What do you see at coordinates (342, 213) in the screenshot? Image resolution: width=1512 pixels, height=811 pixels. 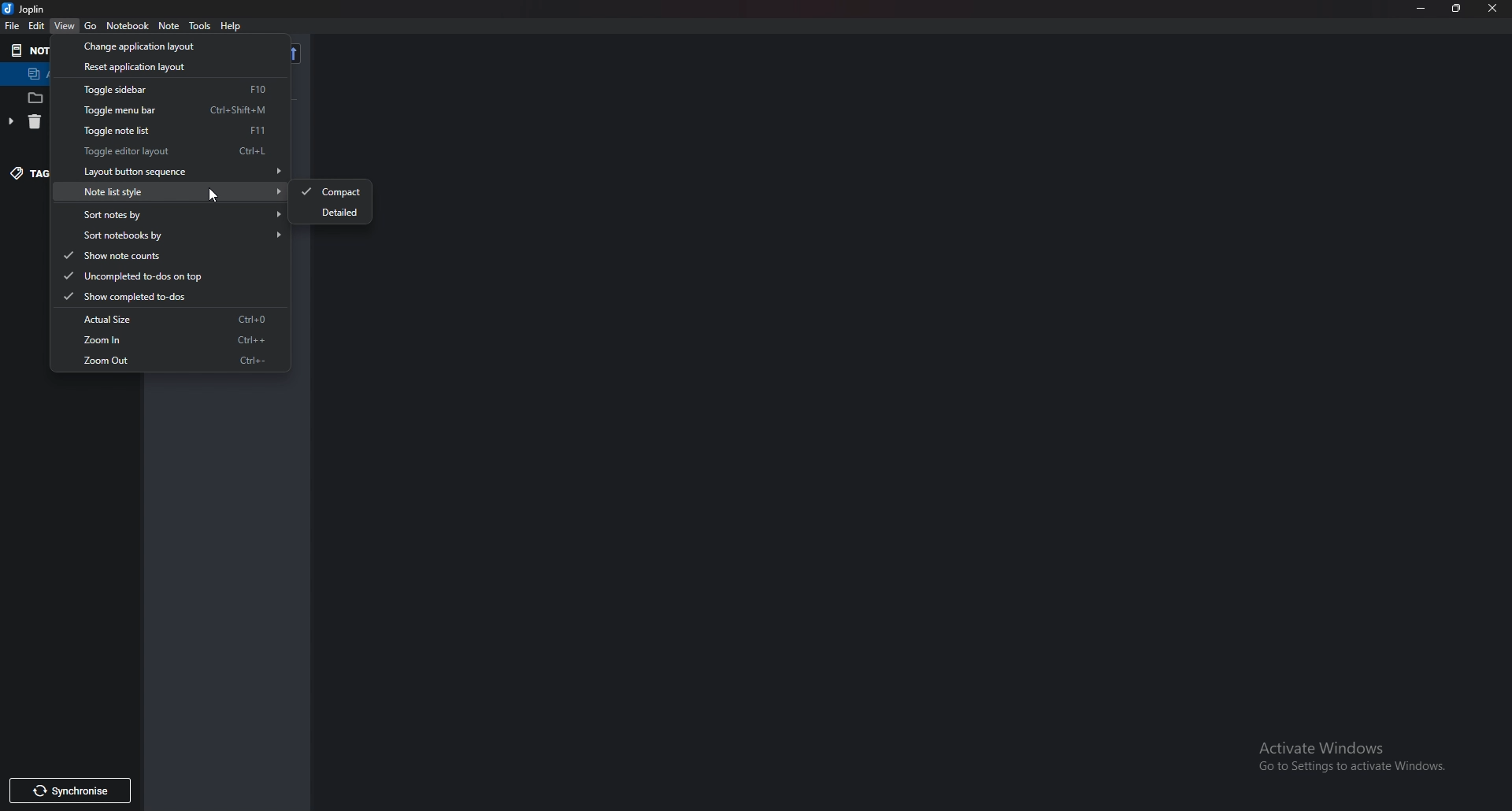 I see `detailed` at bounding box center [342, 213].